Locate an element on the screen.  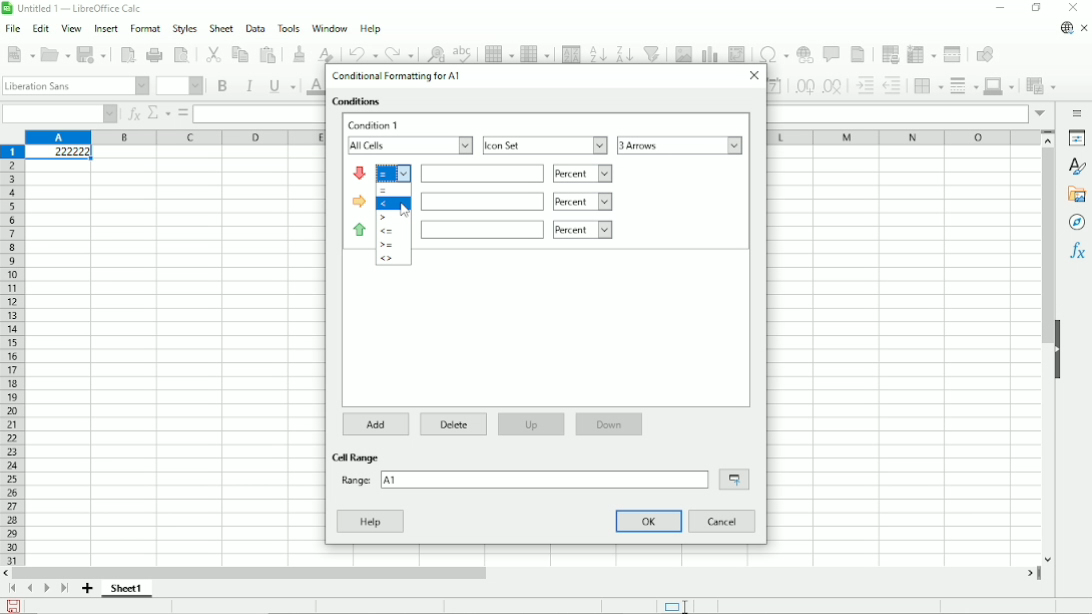
Row is located at coordinates (498, 51).